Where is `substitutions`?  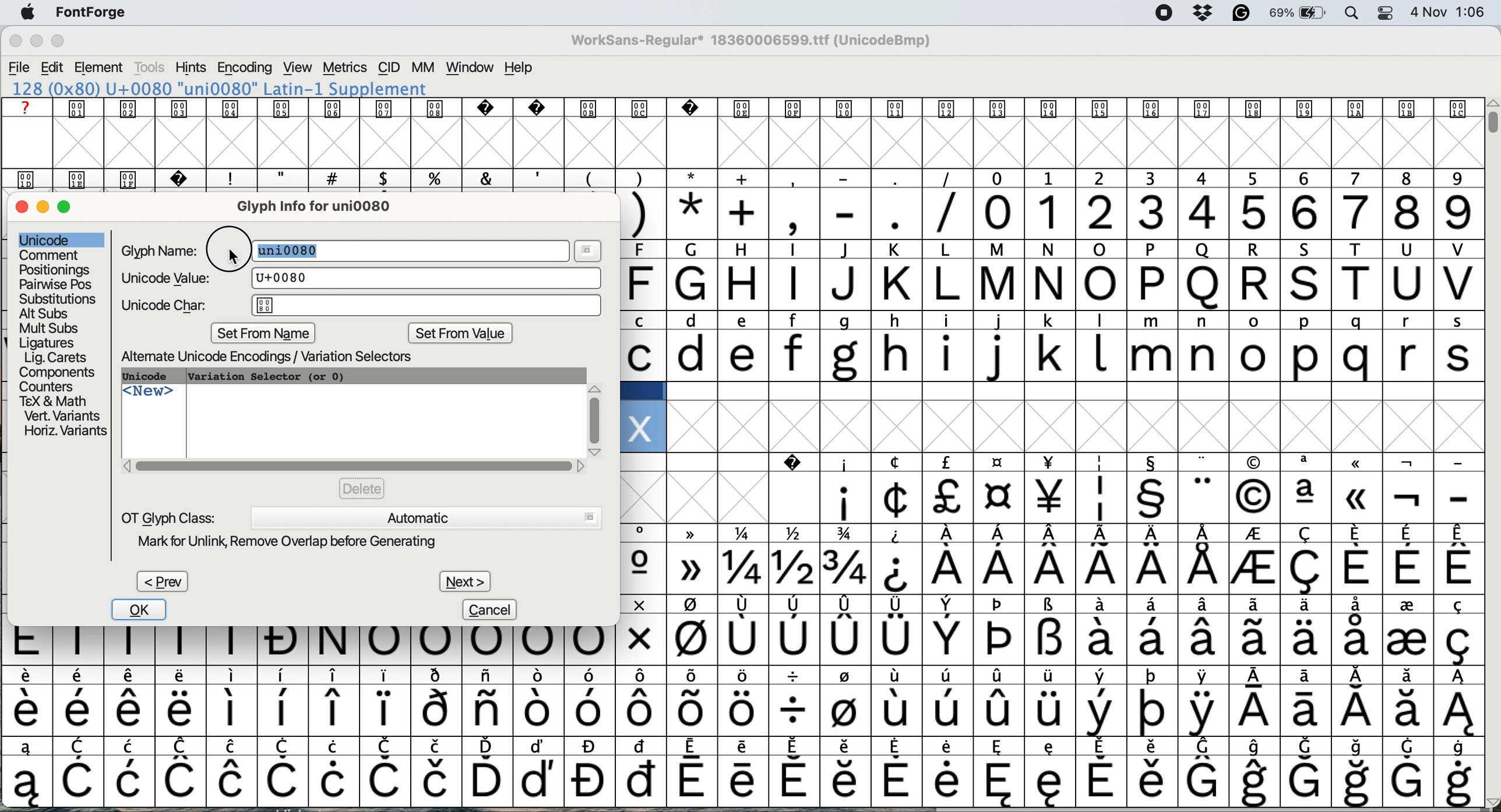 substitutions is located at coordinates (59, 299).